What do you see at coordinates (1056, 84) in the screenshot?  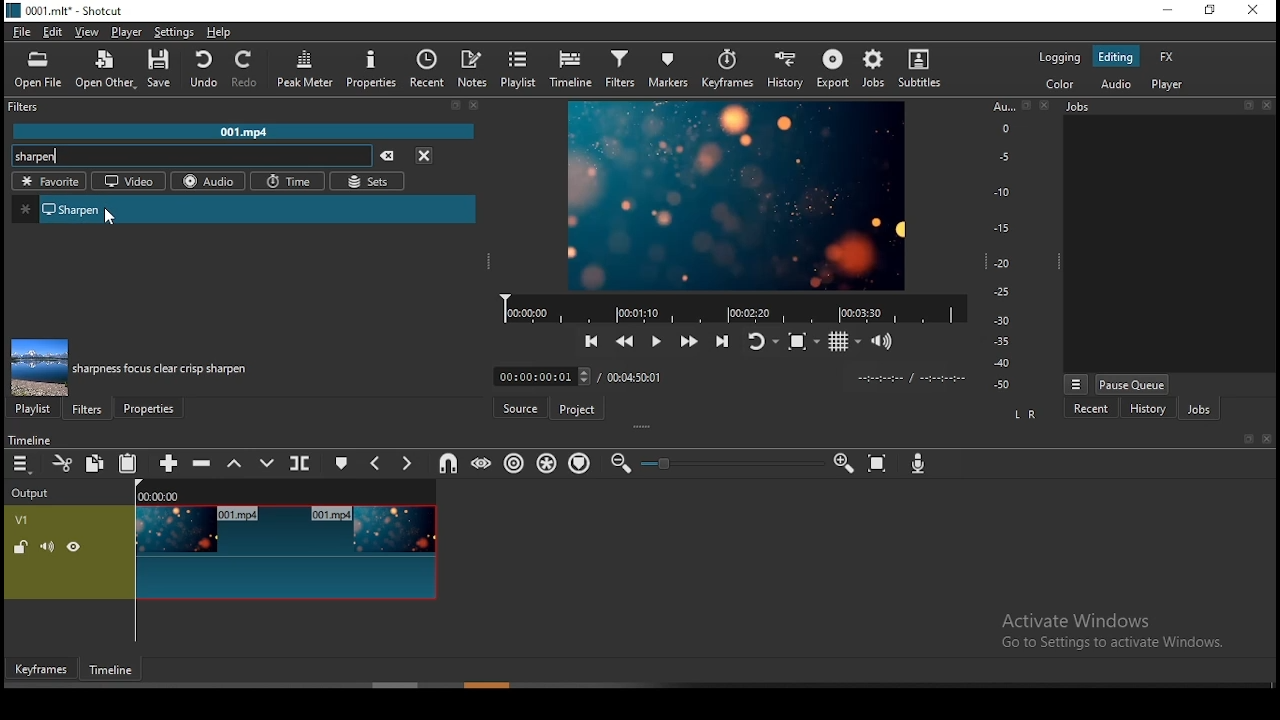 I see `color` at bounding box center [1056, 84].